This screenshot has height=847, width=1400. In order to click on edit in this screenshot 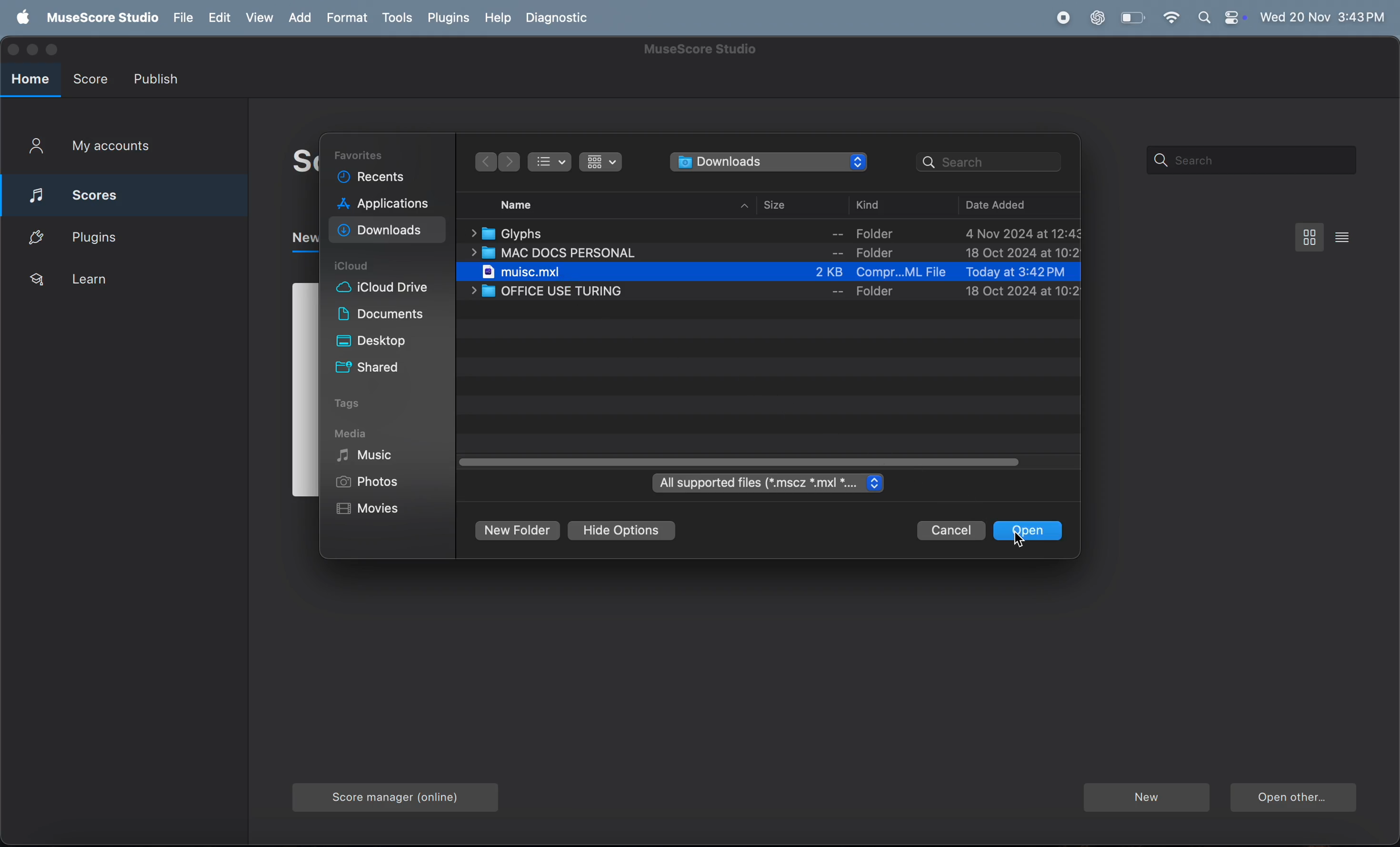, I will do `click(218, 16)`.